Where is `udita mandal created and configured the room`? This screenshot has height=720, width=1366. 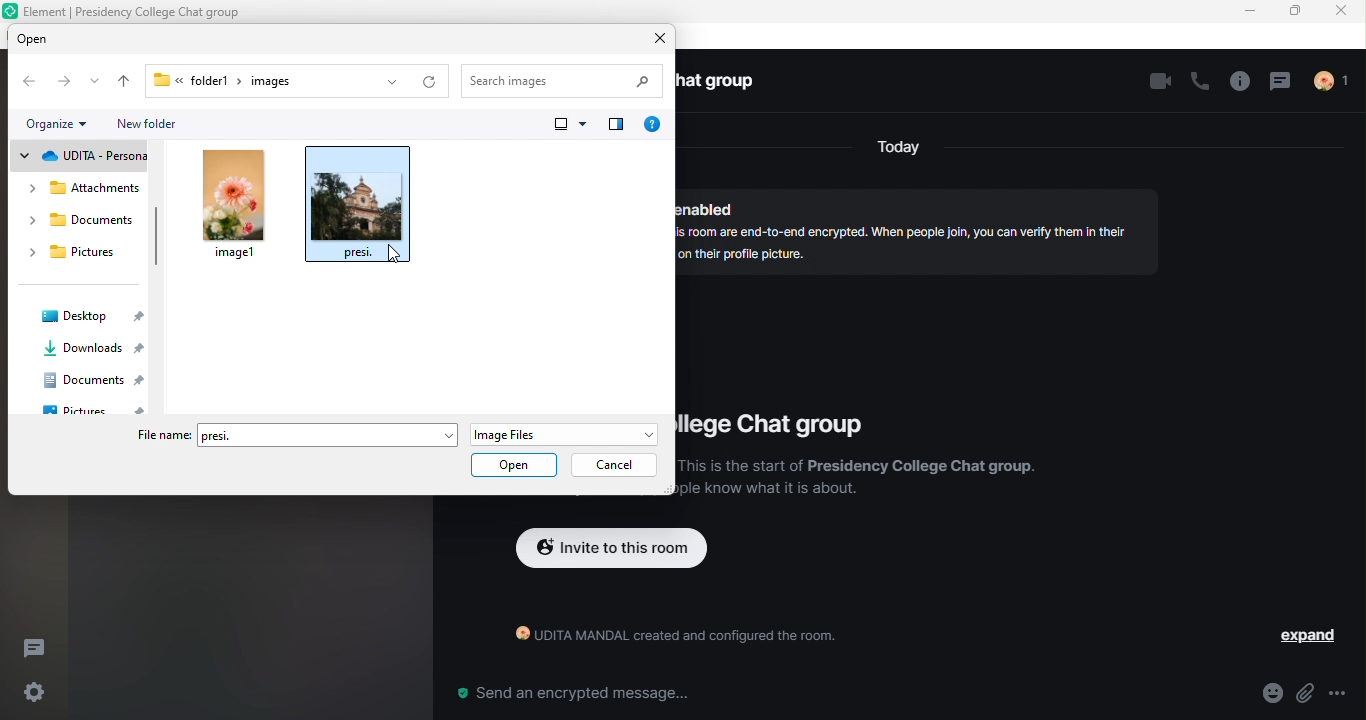
udita mandal created and configured the room is located at coordinates (666, 639).